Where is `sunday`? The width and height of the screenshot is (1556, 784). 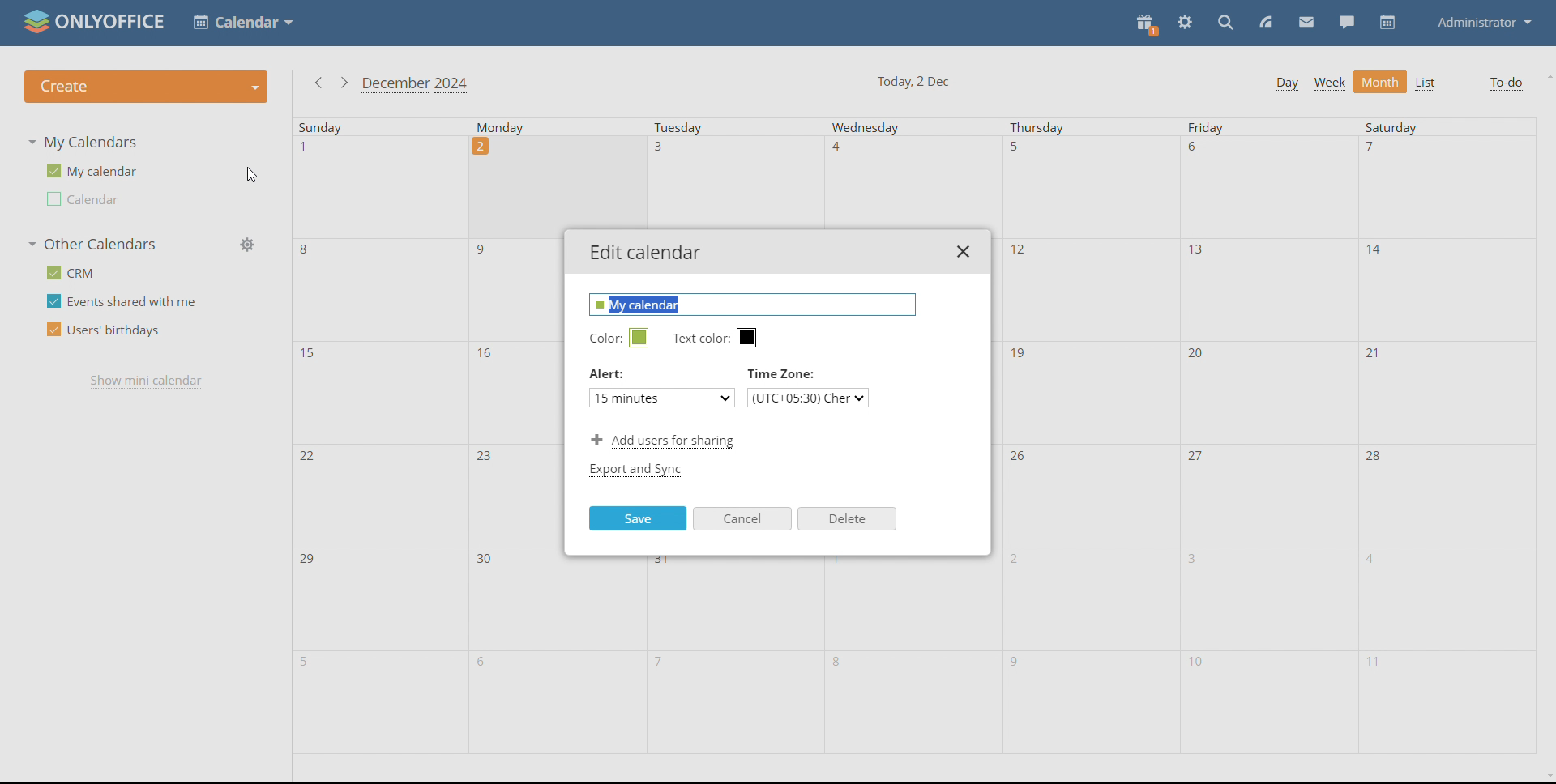
sunday is located at coordinates (378, 445).